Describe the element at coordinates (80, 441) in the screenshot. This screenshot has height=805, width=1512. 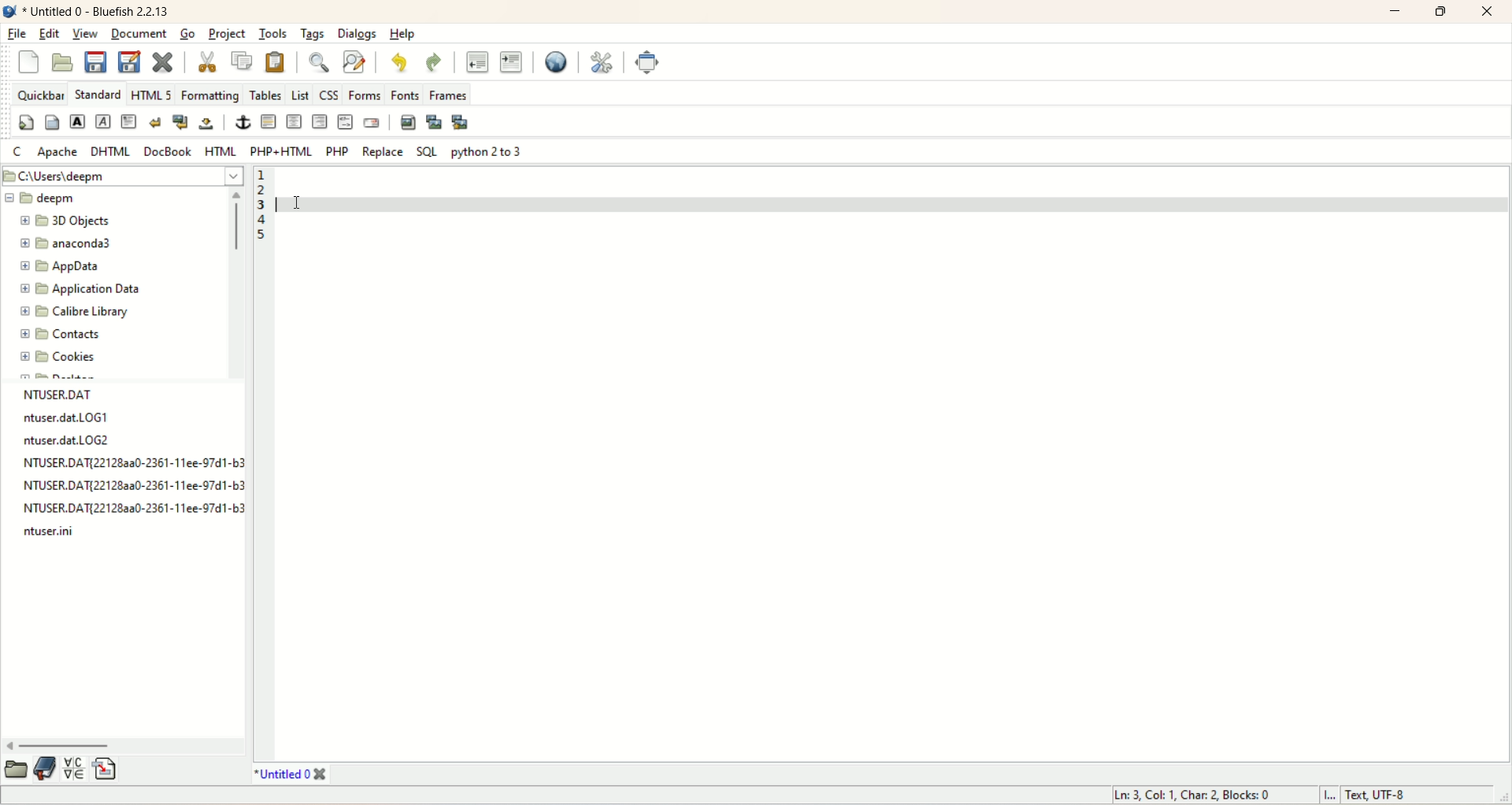
I see `file name` at that location.